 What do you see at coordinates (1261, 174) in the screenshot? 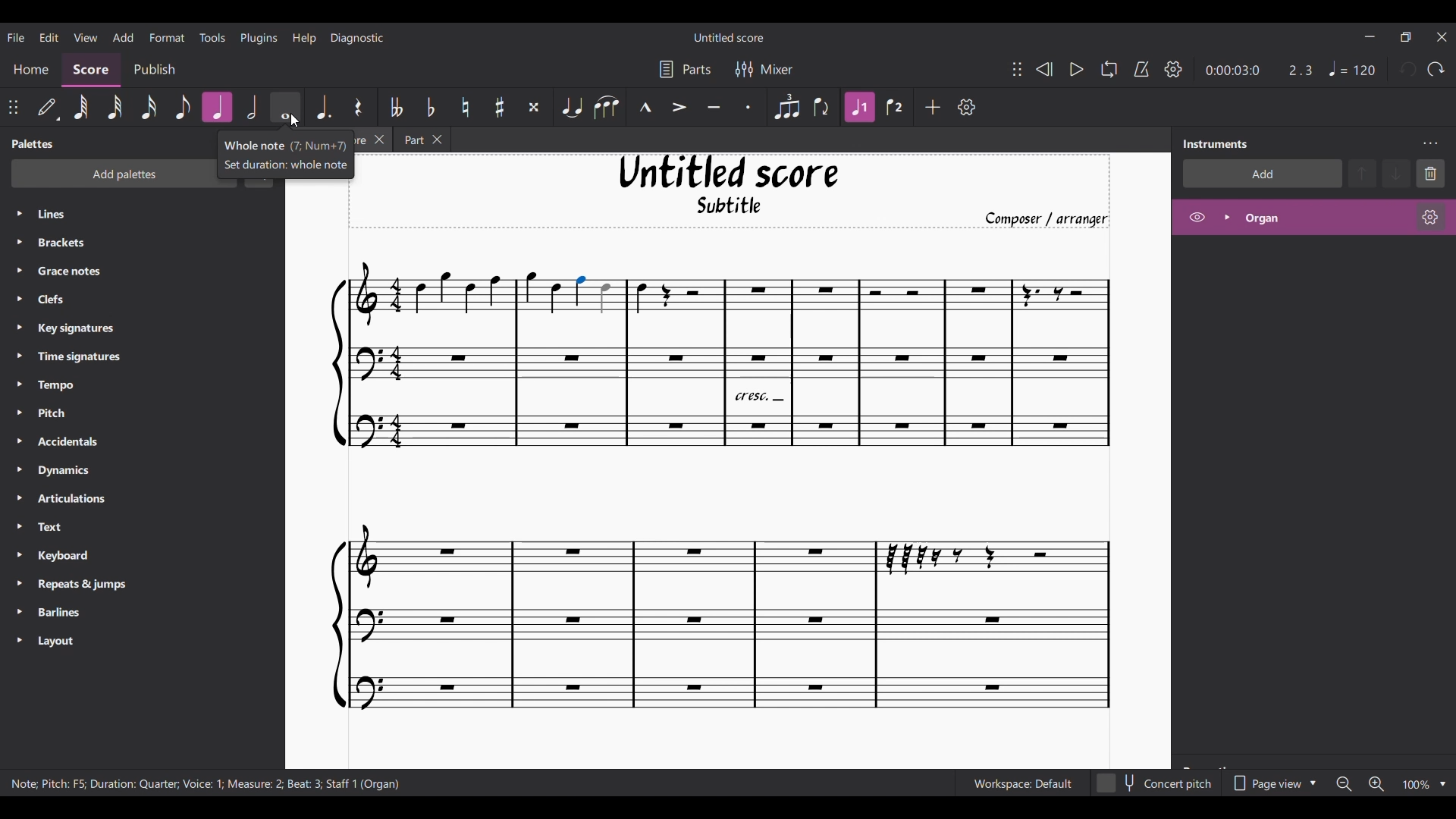
I see `Add instruments` at bounding box center [1261, 174].